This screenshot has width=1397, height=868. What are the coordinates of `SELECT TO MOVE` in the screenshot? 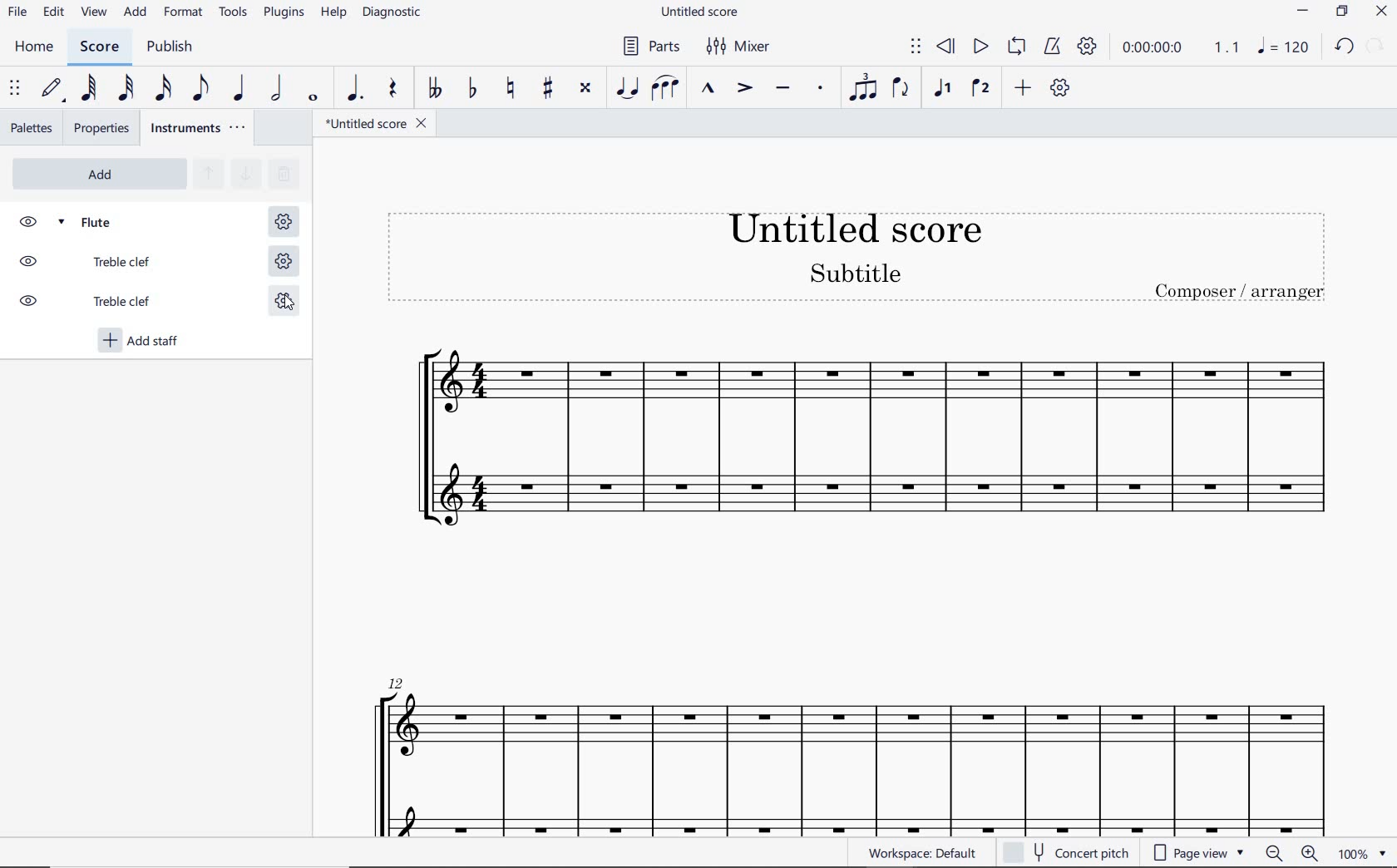 It's located at (915, 47).